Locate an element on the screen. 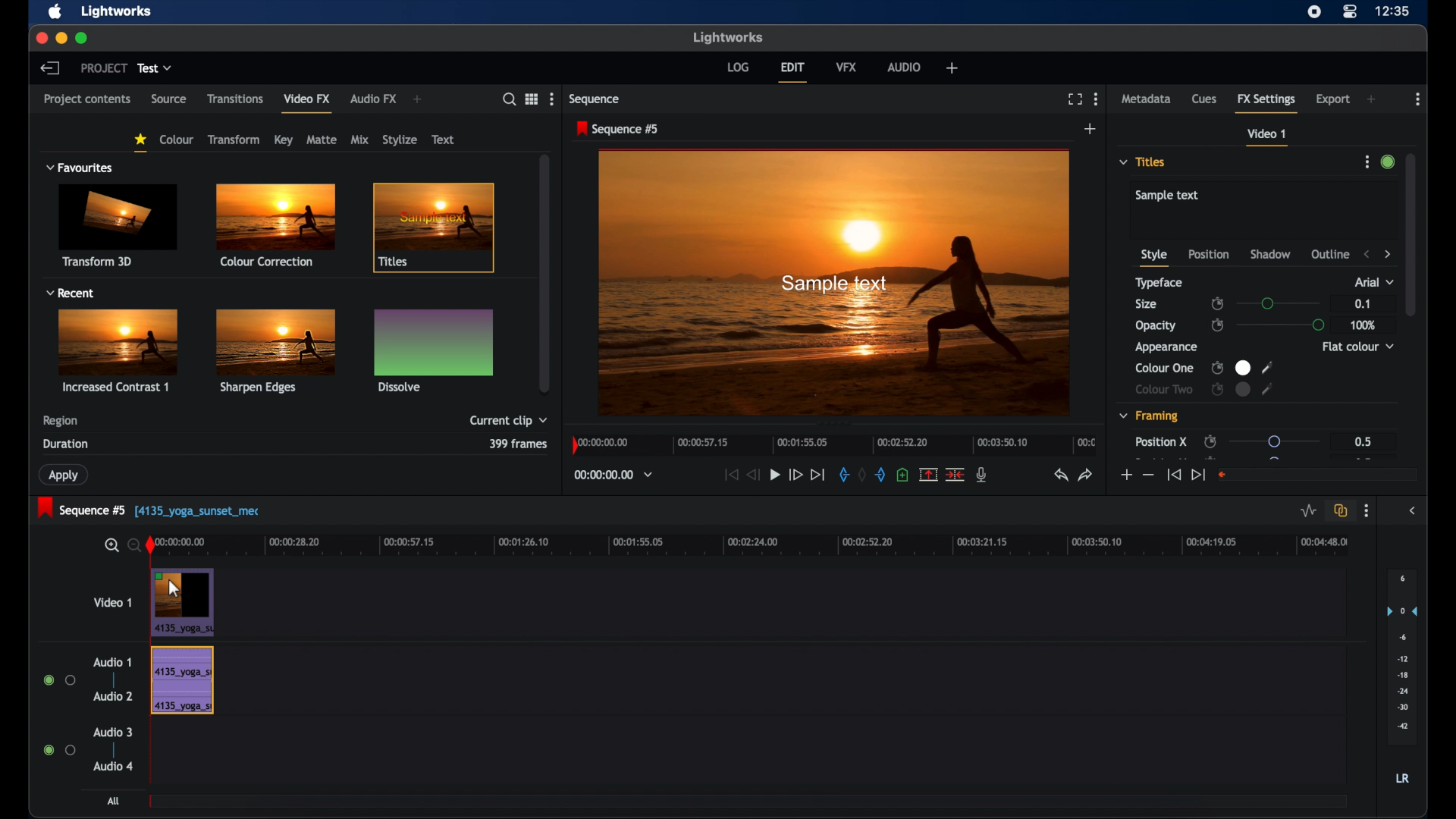 This screenshot has height=819, width=1456. maximize is located at coordinates (83, 39).